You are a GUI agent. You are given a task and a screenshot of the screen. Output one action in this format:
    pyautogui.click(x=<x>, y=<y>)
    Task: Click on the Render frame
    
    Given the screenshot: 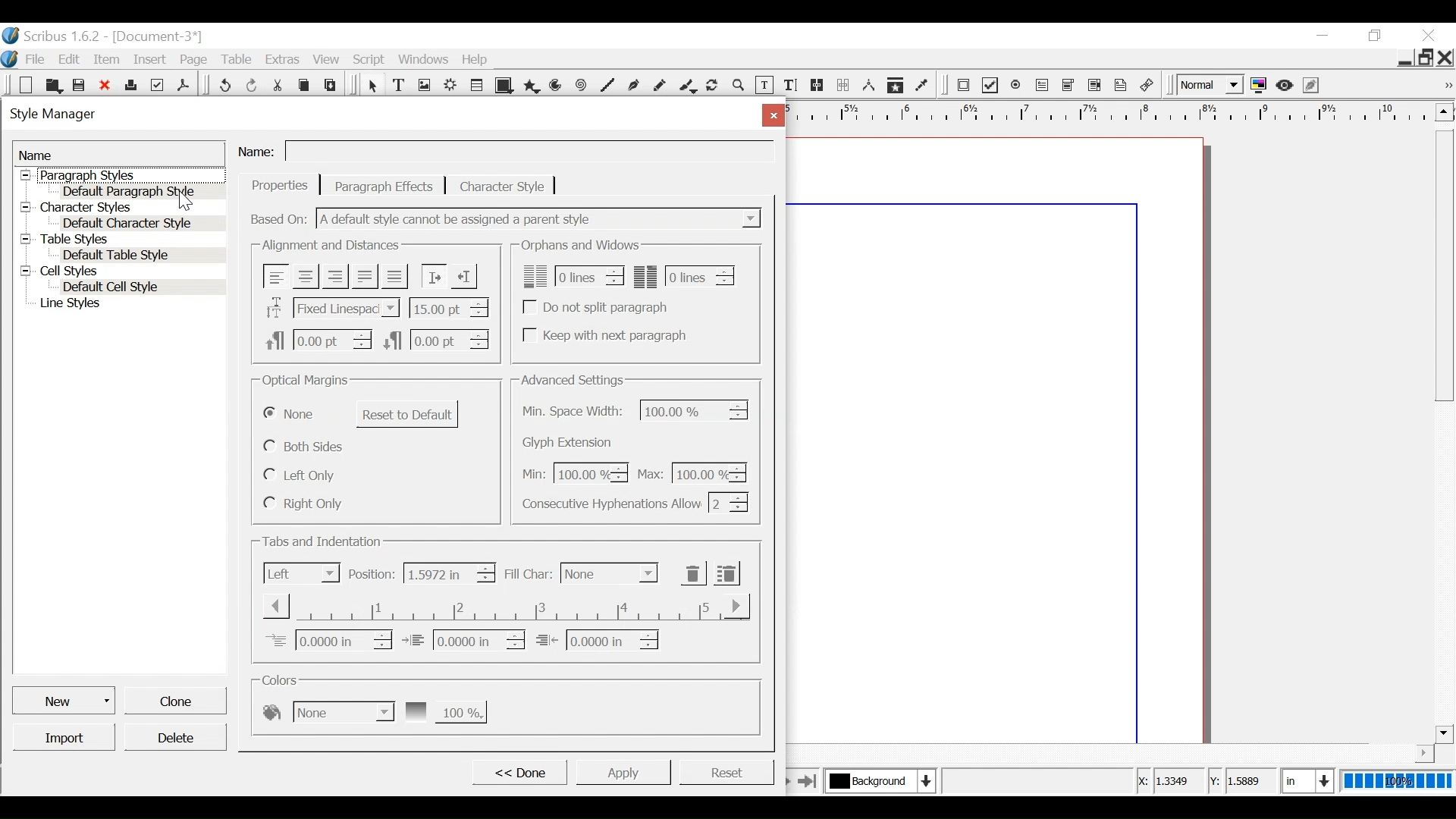 What is the action you would take?
    pyautogui.click(x=451, y=86)
    